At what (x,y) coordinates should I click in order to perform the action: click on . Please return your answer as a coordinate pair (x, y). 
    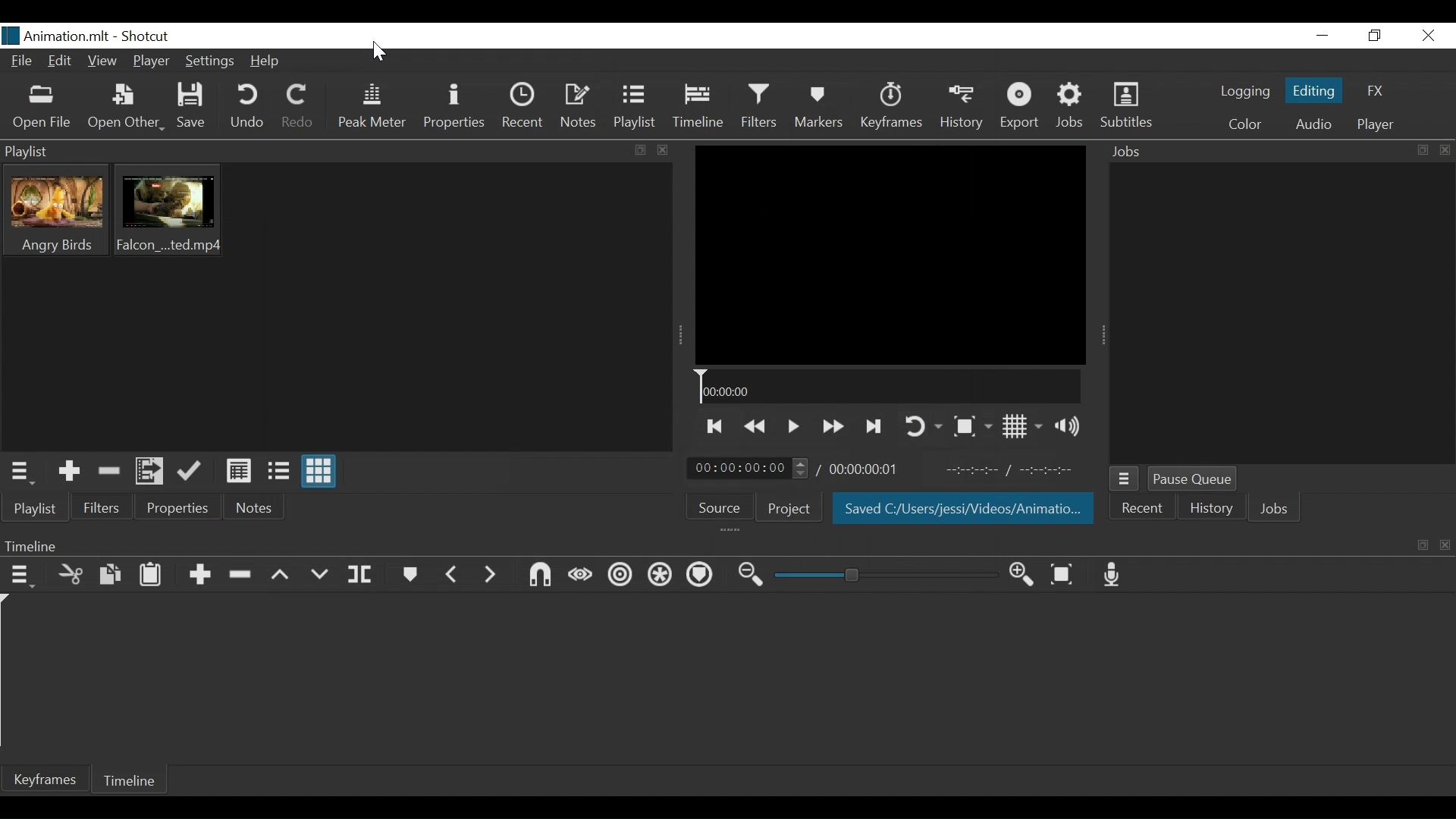
    Looking at the image, I should click on (300, 108).